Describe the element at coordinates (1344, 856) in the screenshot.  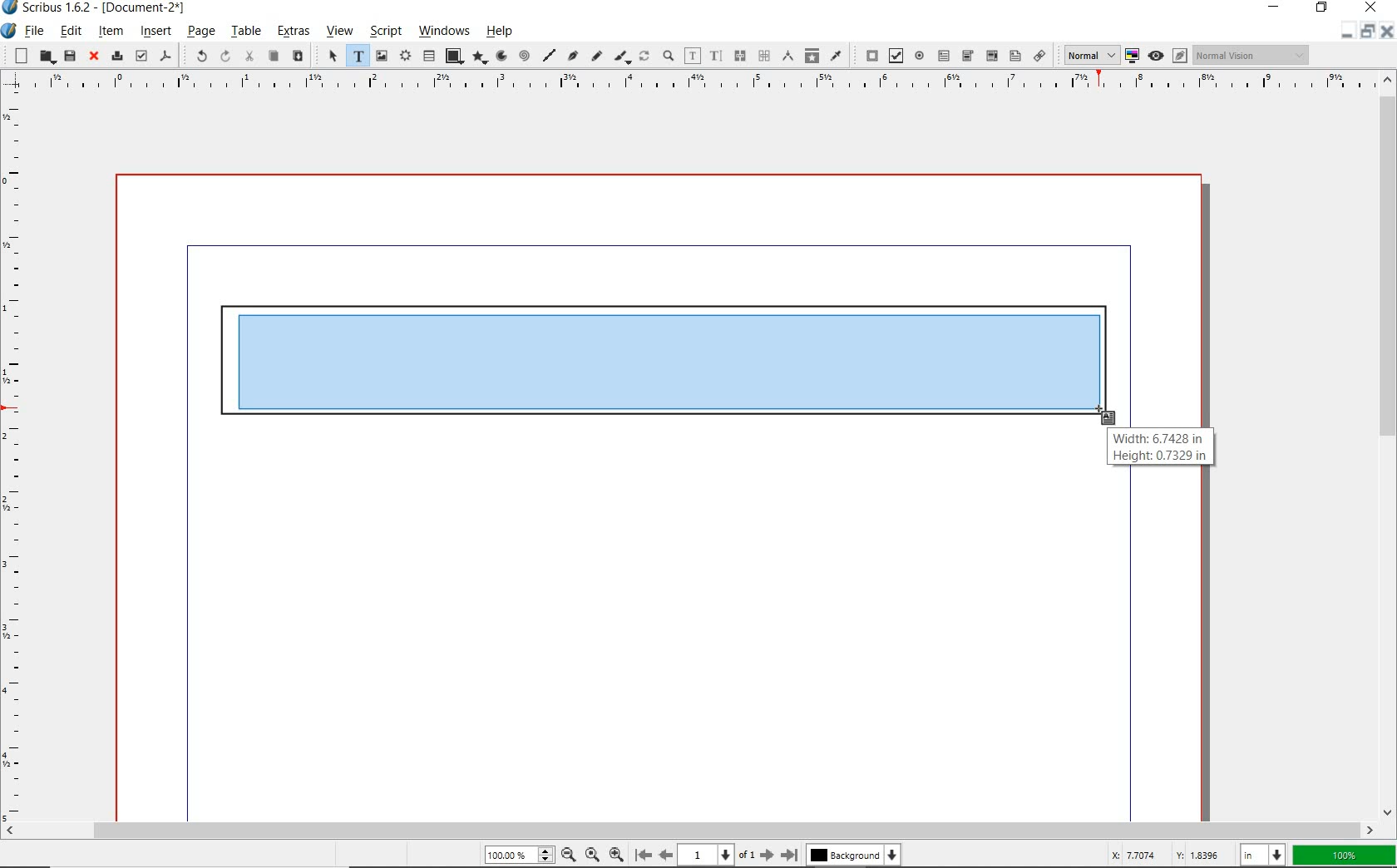
I see `zoom factor` at that location.